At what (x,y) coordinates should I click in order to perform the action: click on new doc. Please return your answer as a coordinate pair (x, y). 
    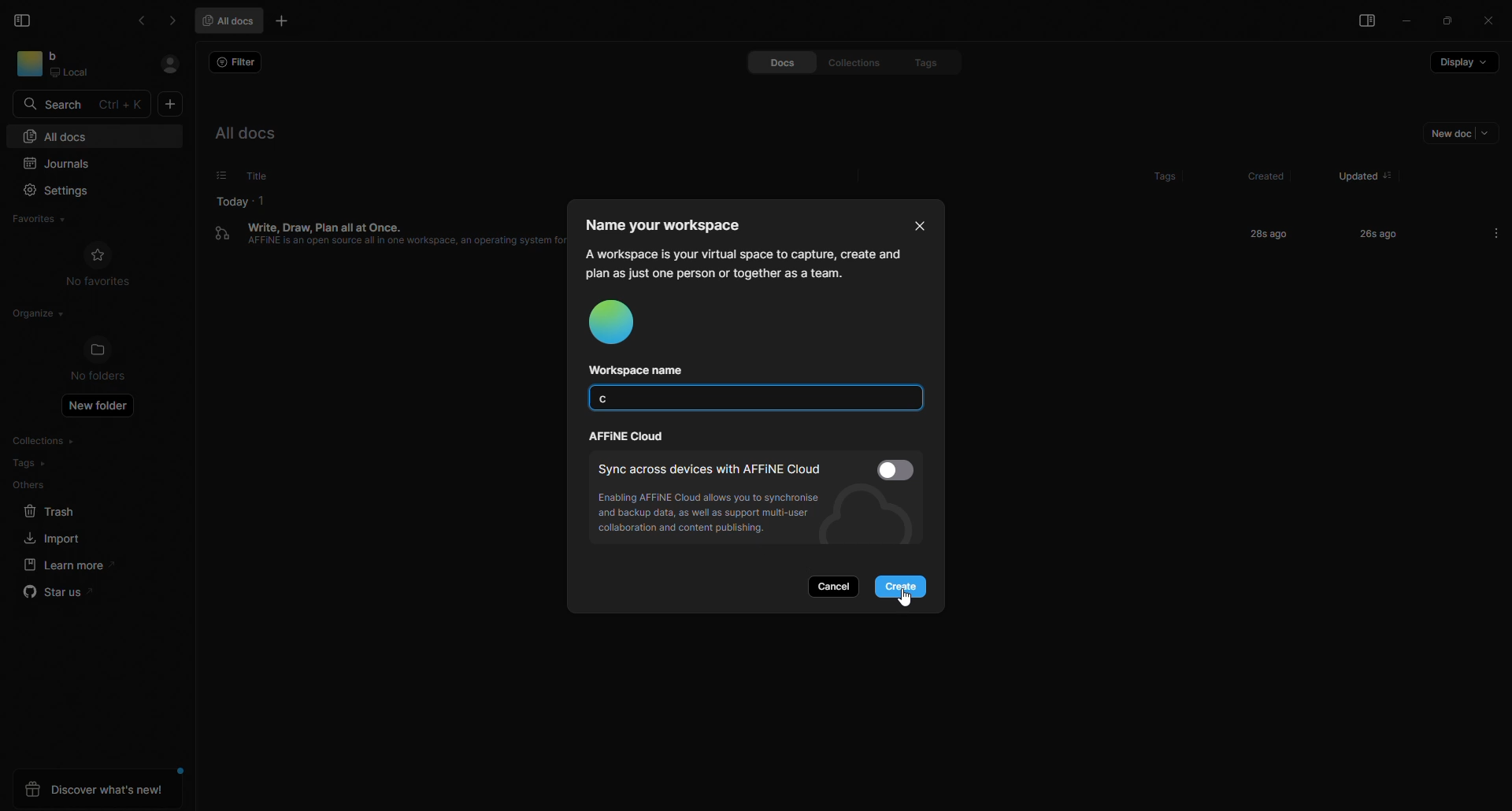
    Looking at the image, I should click on (171, 106).